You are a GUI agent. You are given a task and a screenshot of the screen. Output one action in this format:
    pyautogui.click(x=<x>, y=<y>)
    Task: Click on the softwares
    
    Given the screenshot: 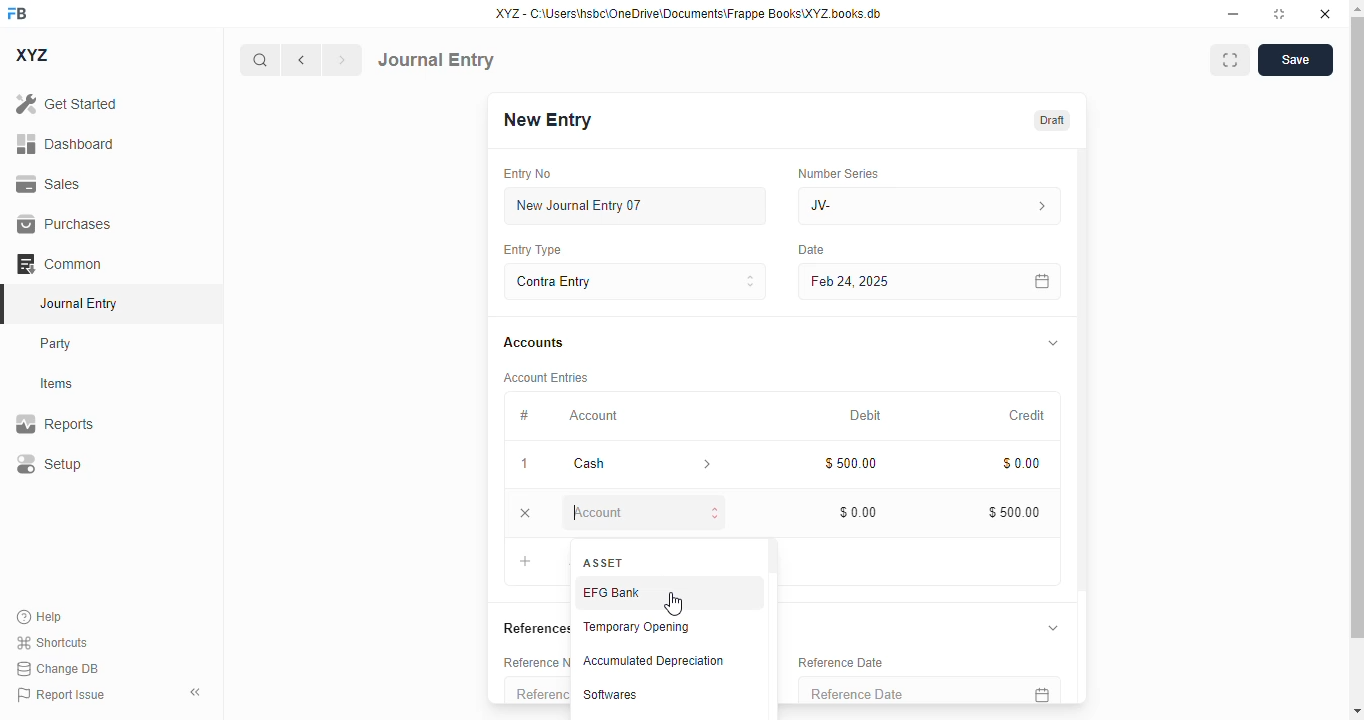 What is the action you would take?
    pyautogui.click(x=611, y=695)
    